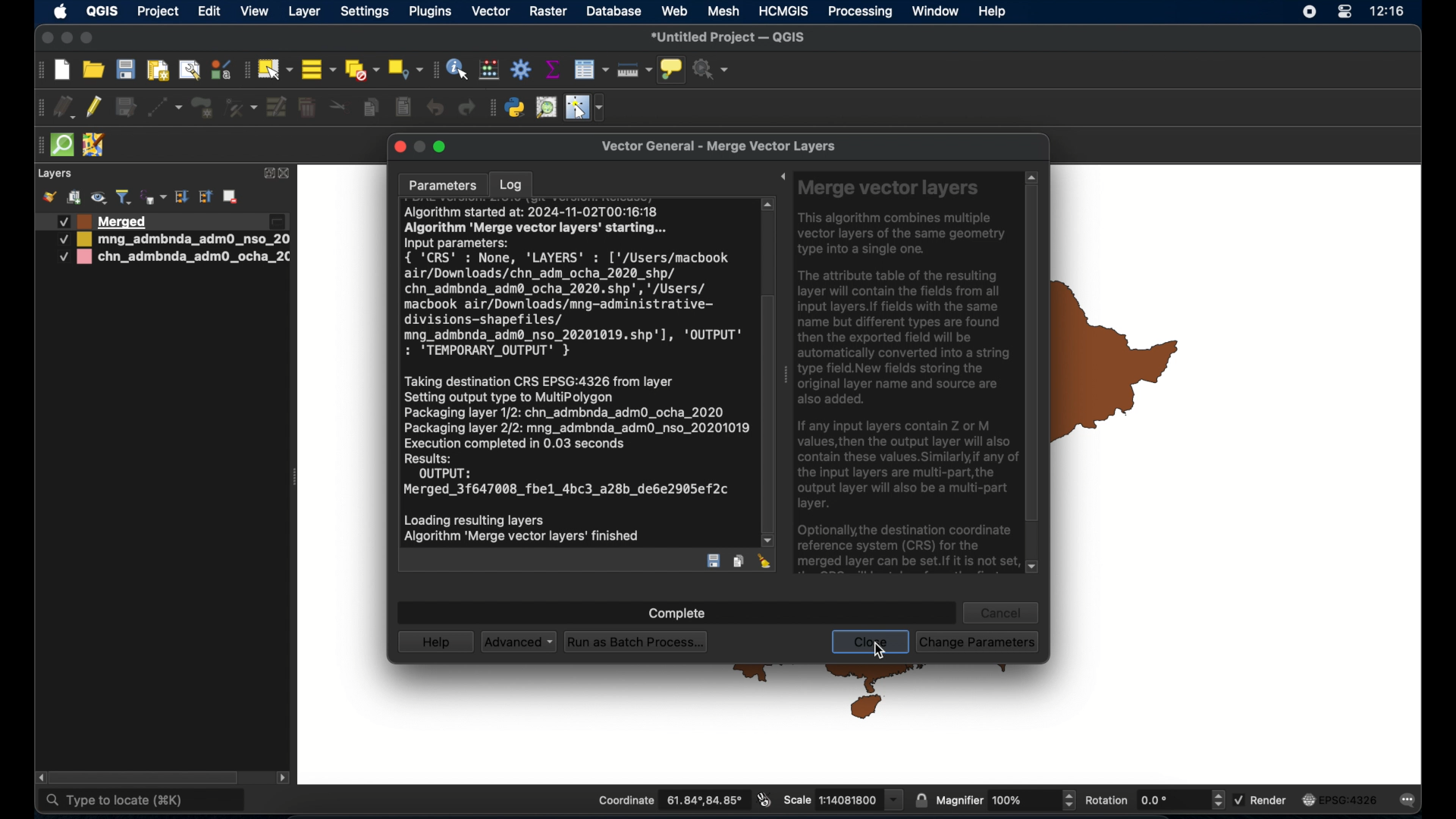 The image size is (1456, 819). I want to click on clear log entry, so click(765, 563).